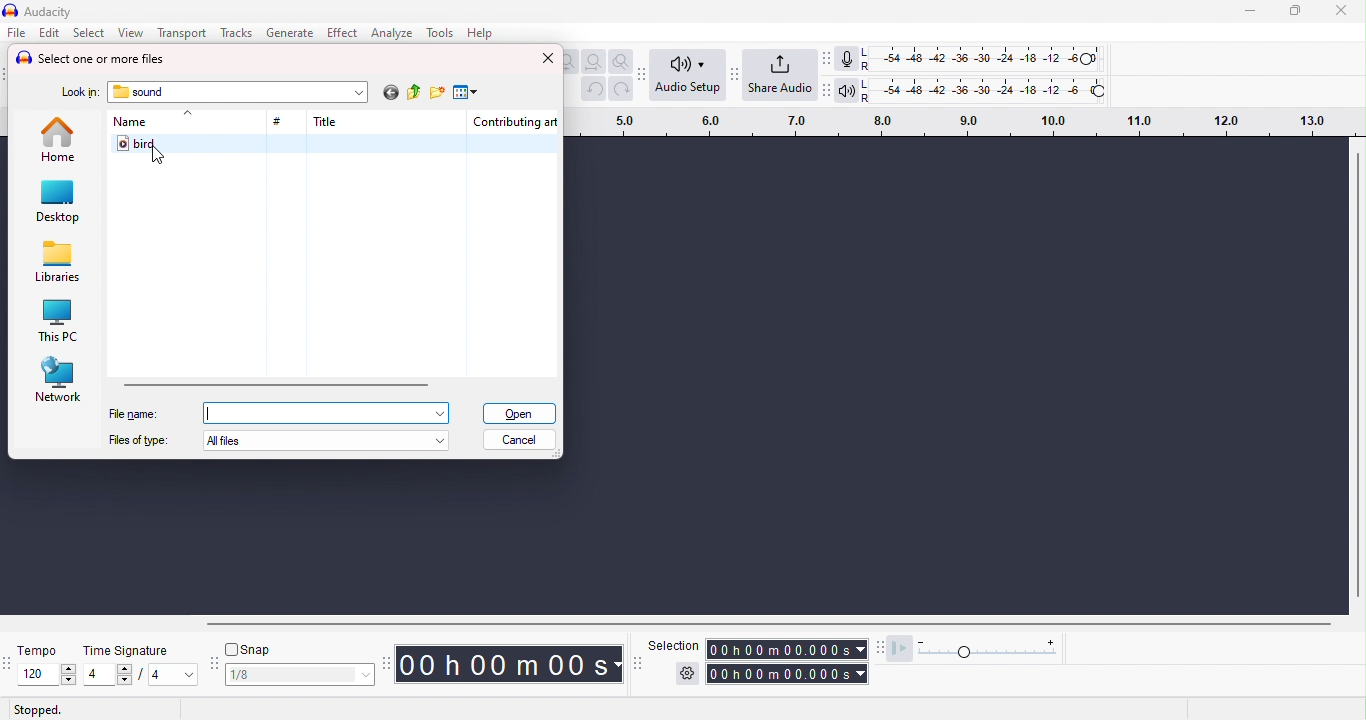 Image resolution: width=1366 pixels, height=720 pixels. I want to click on selection options, so click(687, 675).